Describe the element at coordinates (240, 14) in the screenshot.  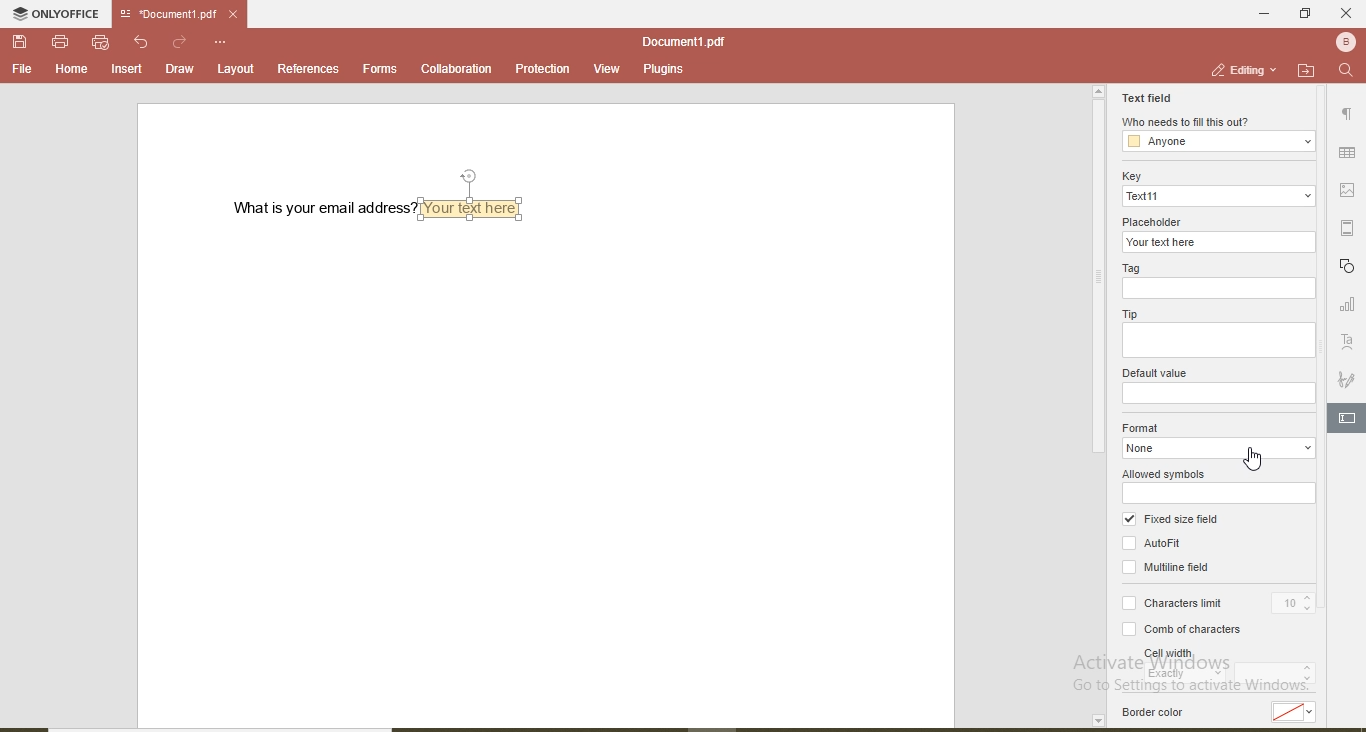
I see `close file` at that location.